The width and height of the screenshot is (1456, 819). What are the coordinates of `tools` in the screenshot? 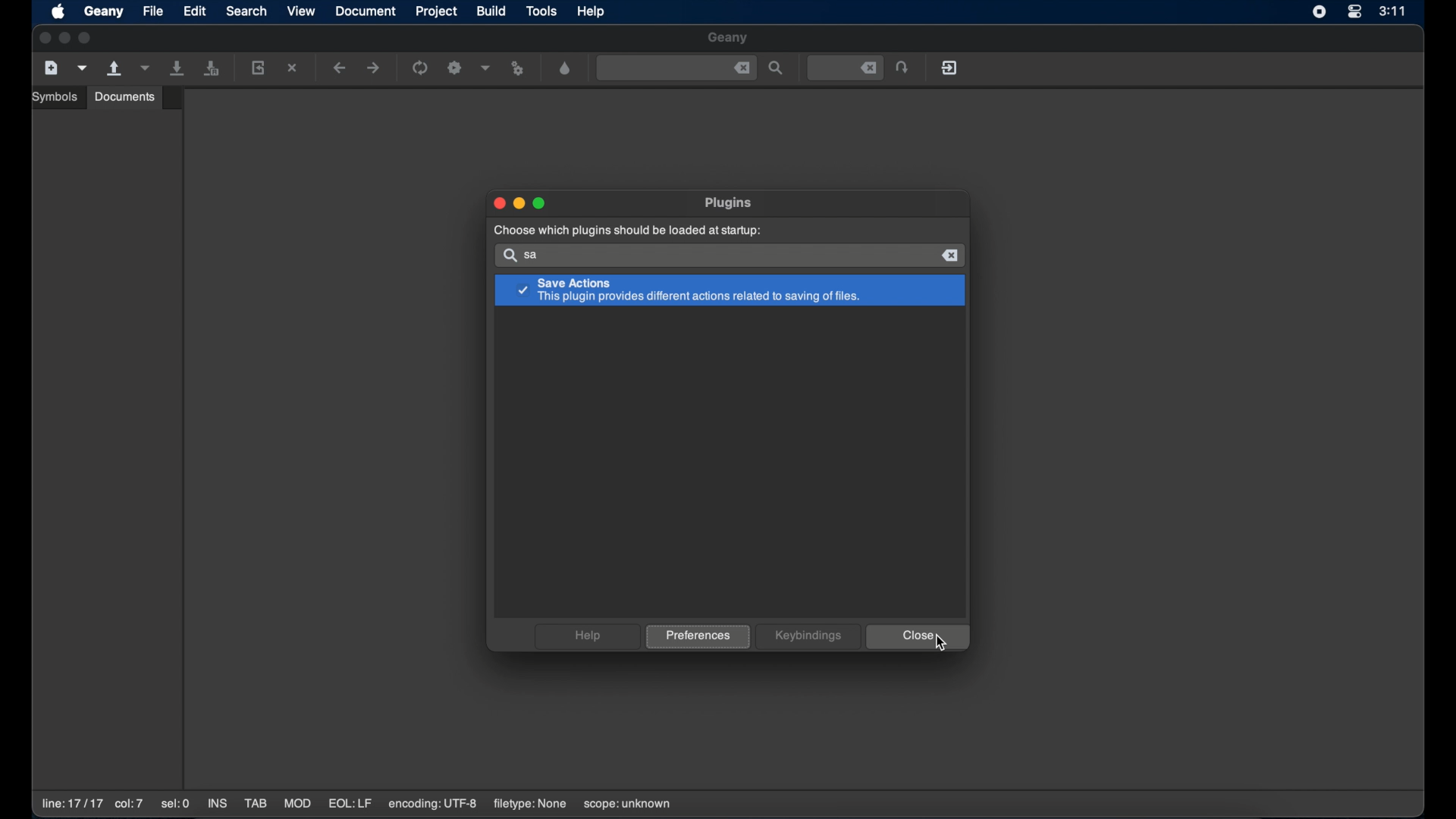 It's located at (542, 12).